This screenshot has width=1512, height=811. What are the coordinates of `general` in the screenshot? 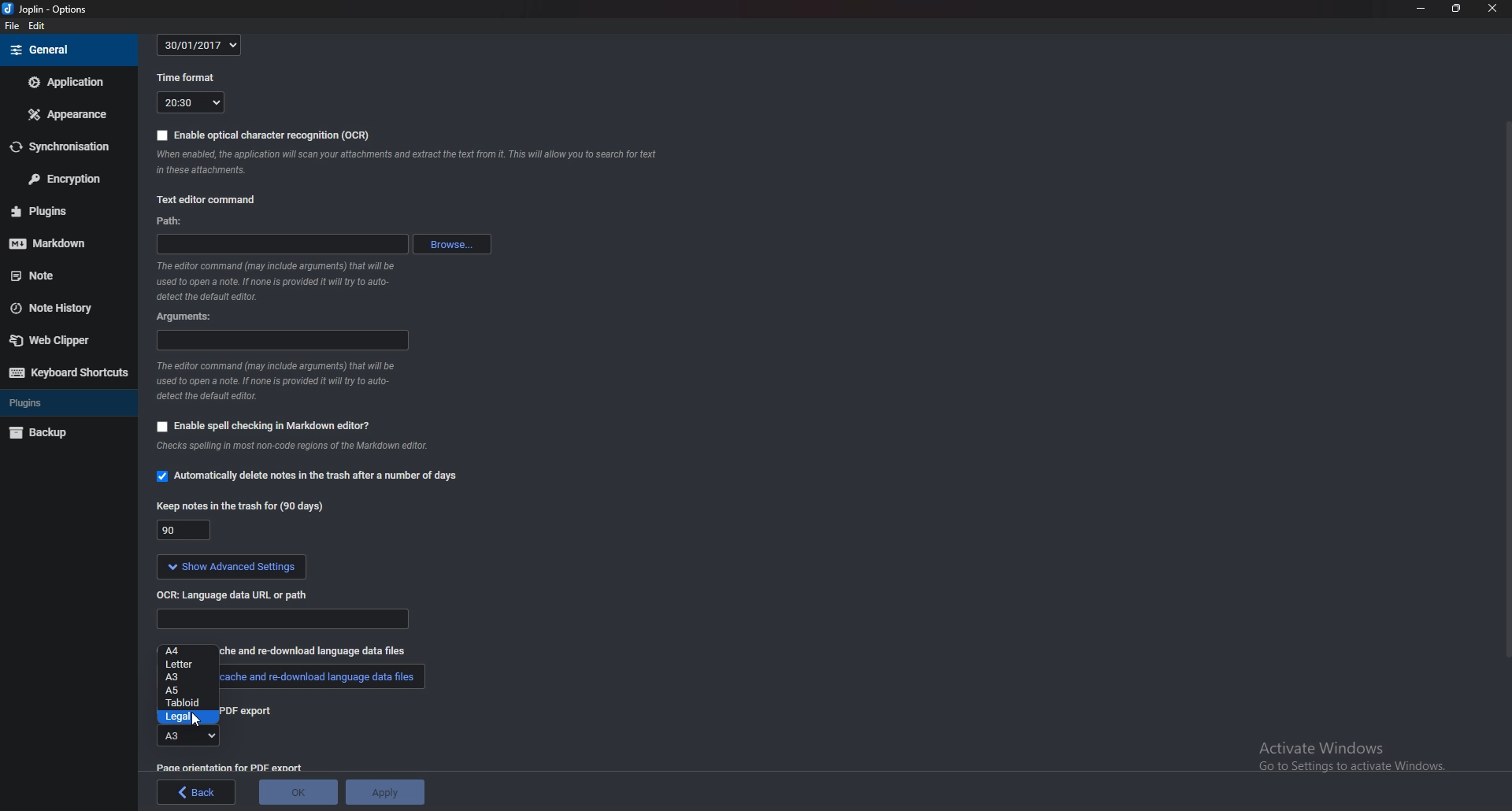 It's located at (68, 49).